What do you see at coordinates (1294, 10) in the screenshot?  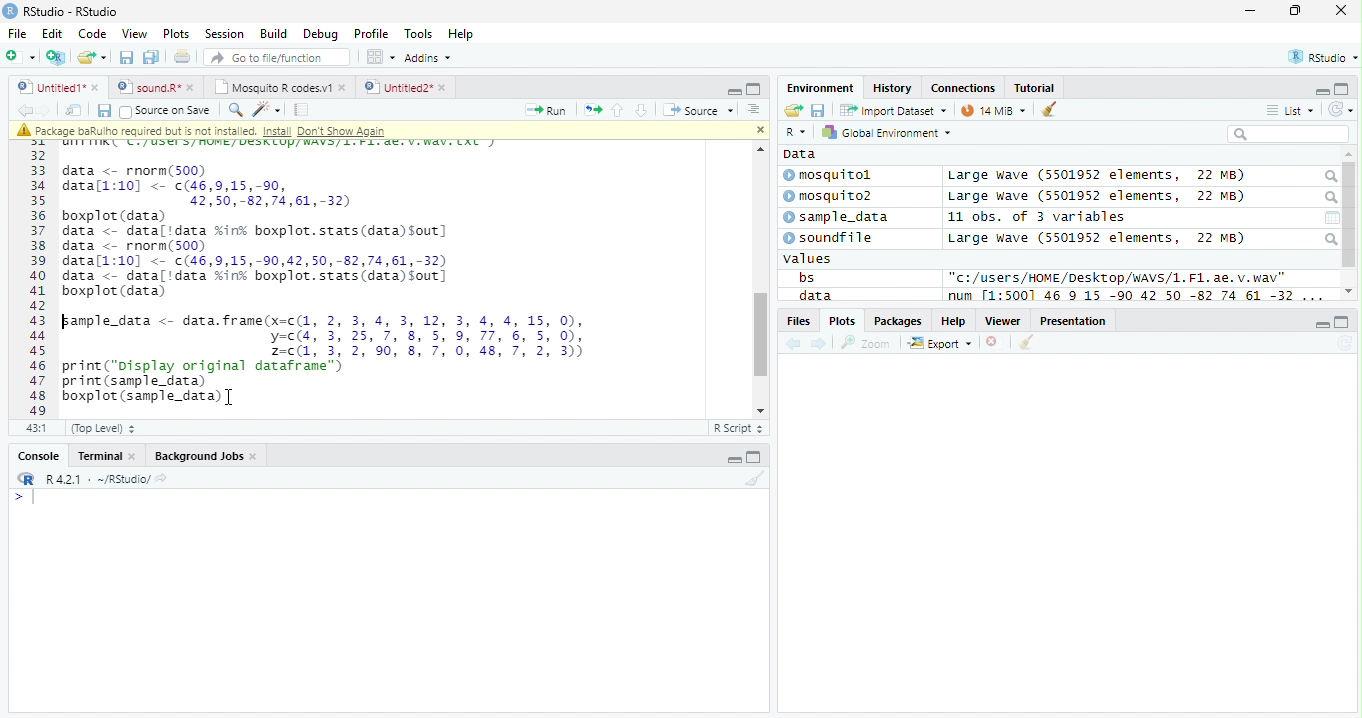 I see `maximize` at bounding box center [1294, 10].